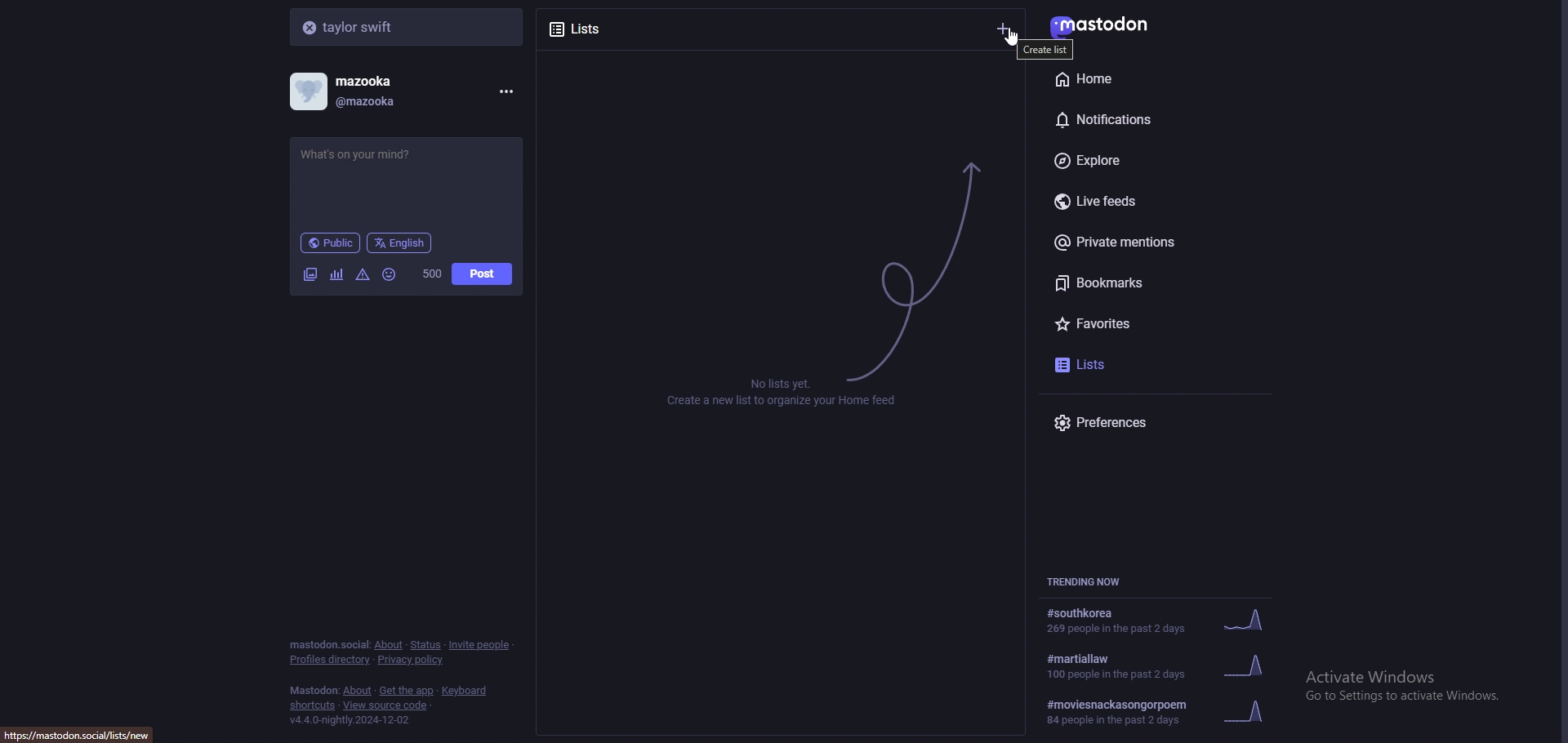 The image size is (1568, 743). What do you see at coordinates (1168, 665) in the screenshot?
I see `trending` at bounding box center [1168, 665].